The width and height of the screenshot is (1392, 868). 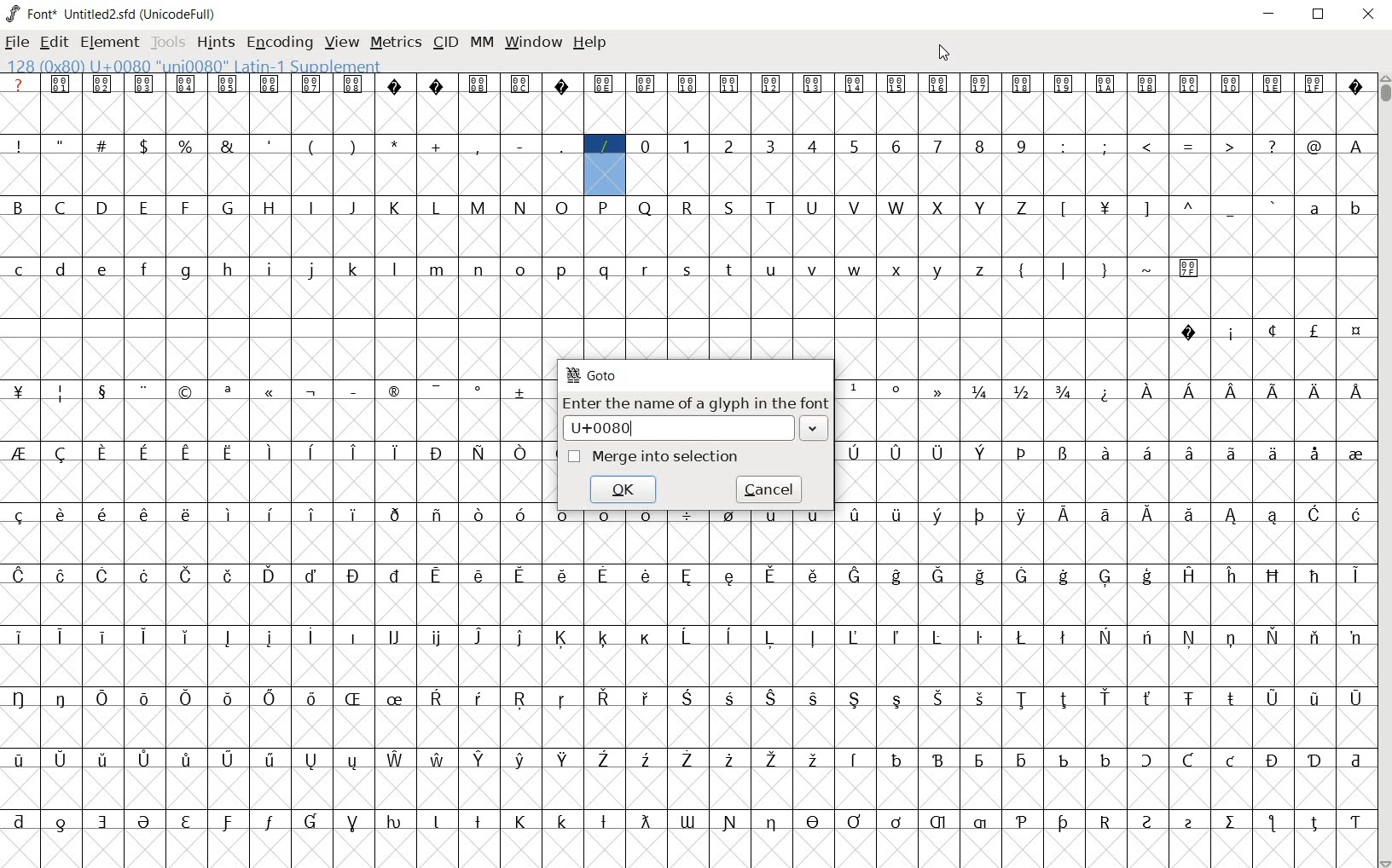 What do you see at coordinates (1147, 698) in the screenshot?
I see `glyph` at bounding box center [1147, 698].